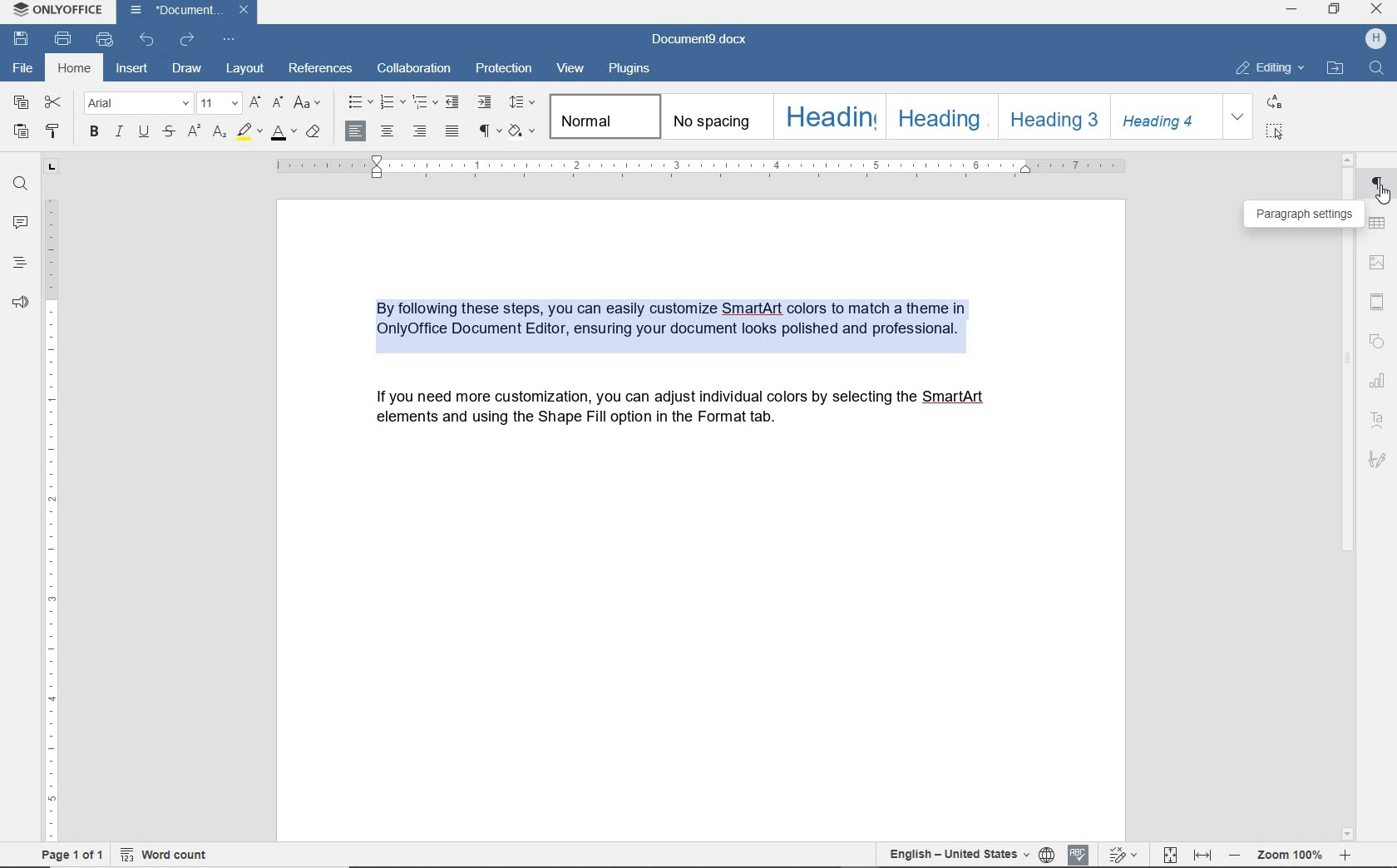 Image resolution: width=1397 pixels, height=868 pixels. What do you see at coordinates (1172, 852) in the screenshot?
I see `fit to page` at bounding box center [1172, 852].